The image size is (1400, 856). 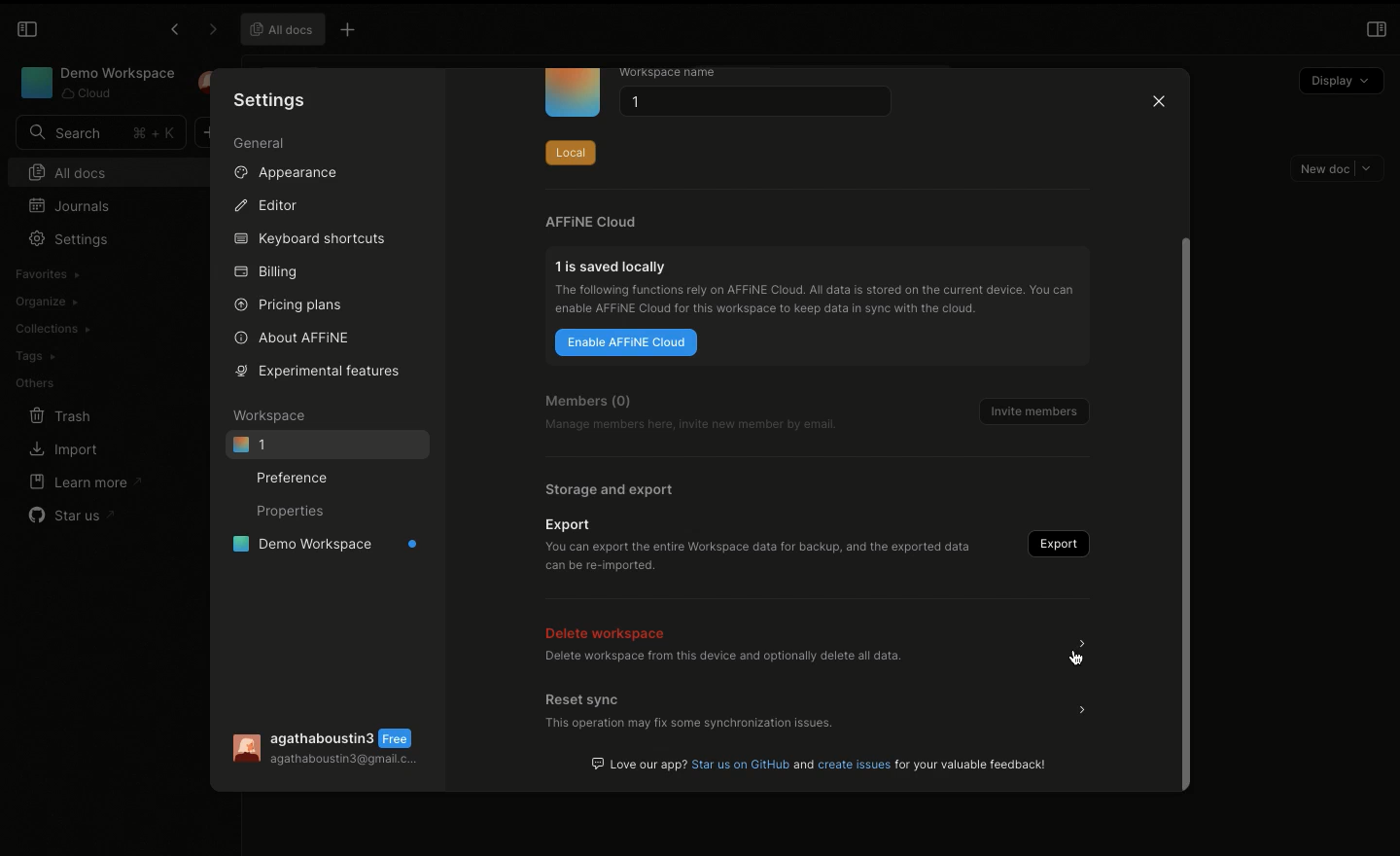 What do you see at coordinates (324, 736) in the screenshot?
I see `agathaboustin3` at bounding box center [324, 736].